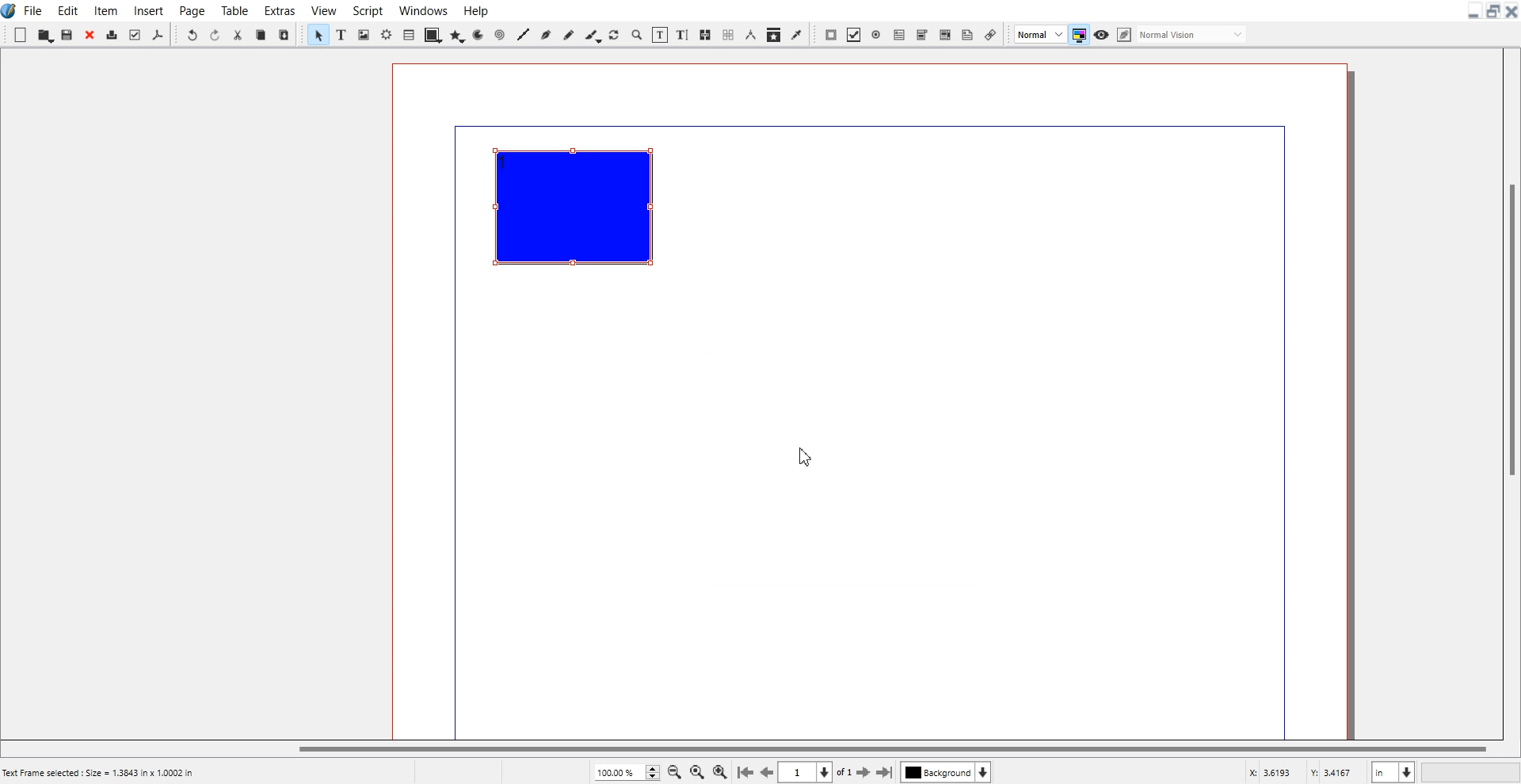 The height and width of the screenshot is (784, 1521). What do you see at coordinates (113, 34) in the screenshot?
I see `Print` at bounding box center [113, 34].